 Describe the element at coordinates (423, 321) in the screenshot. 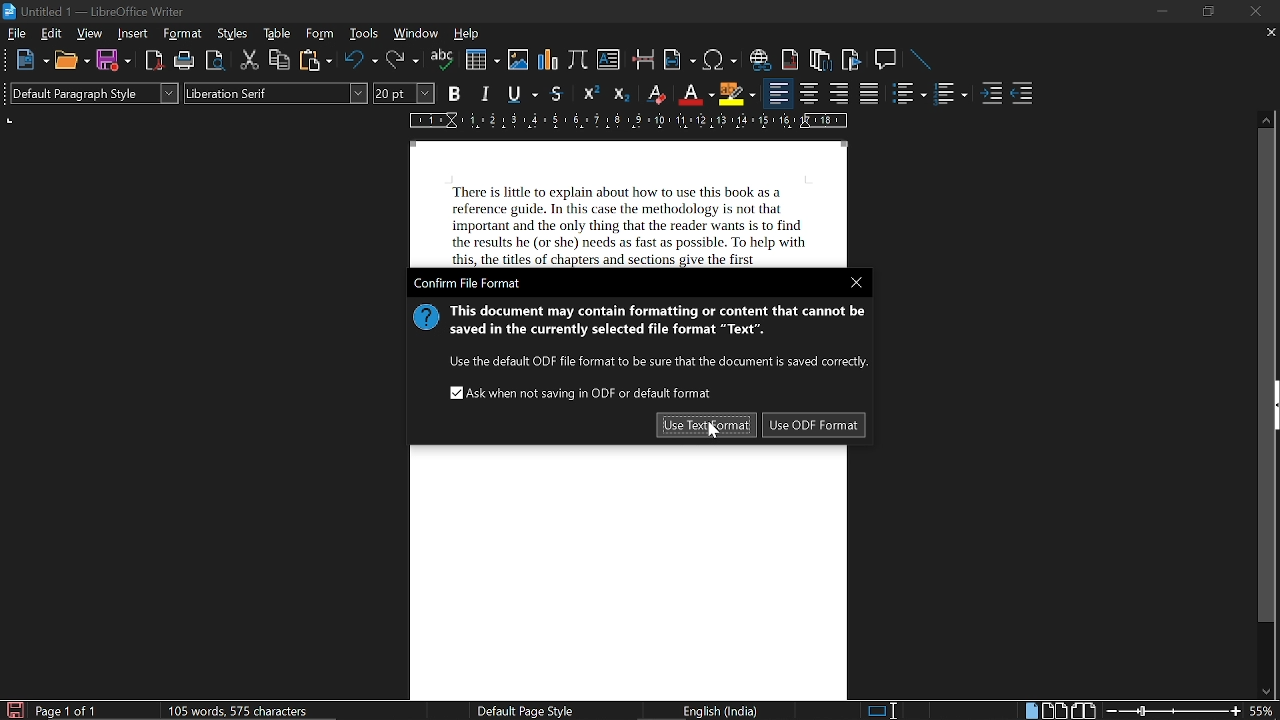

I see `Icon` at that location.